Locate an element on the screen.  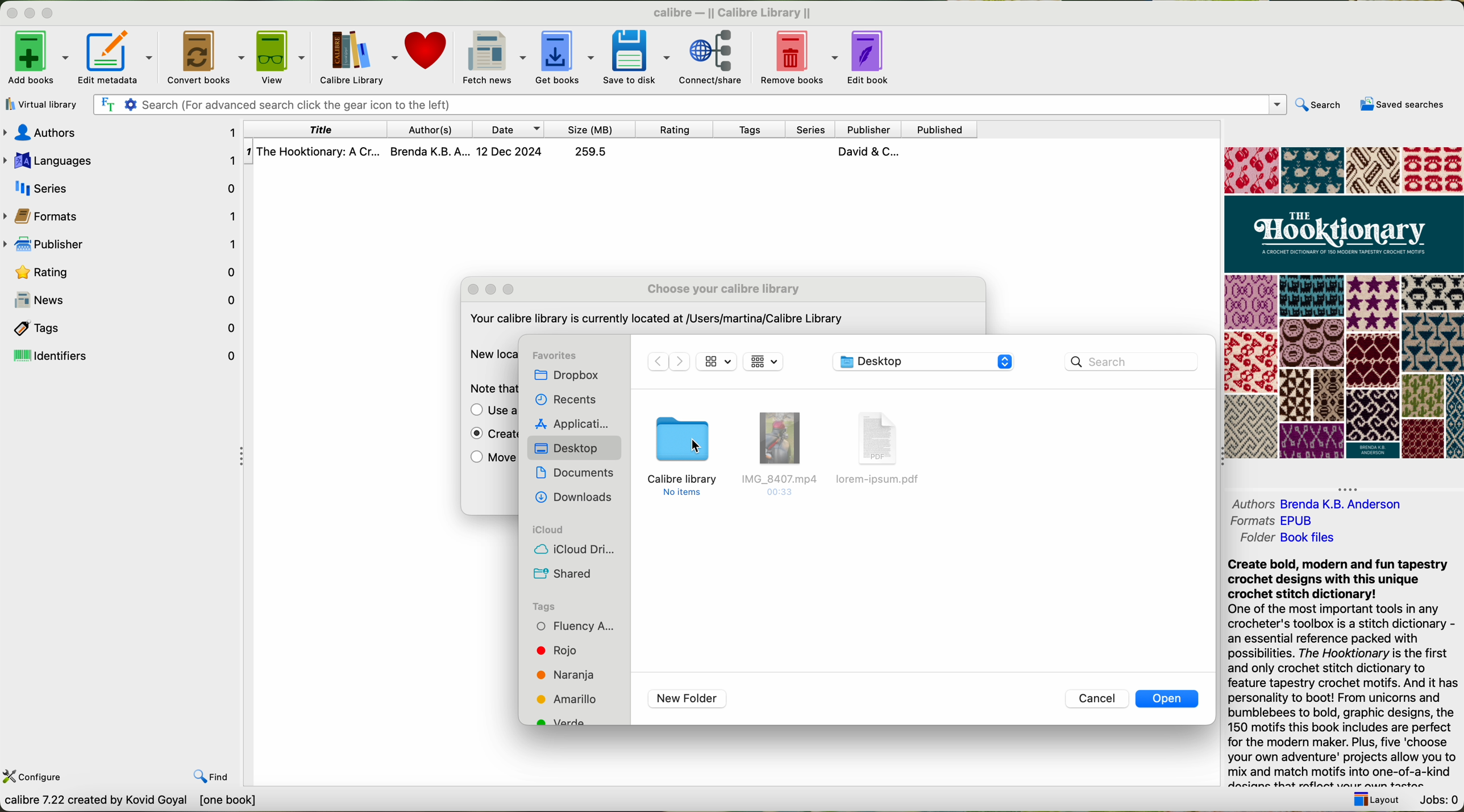
The Hooktionary: A Cr... Brenda K.B. A... 12 Dec 2024 259.5 is located at coordinates (582, 154).